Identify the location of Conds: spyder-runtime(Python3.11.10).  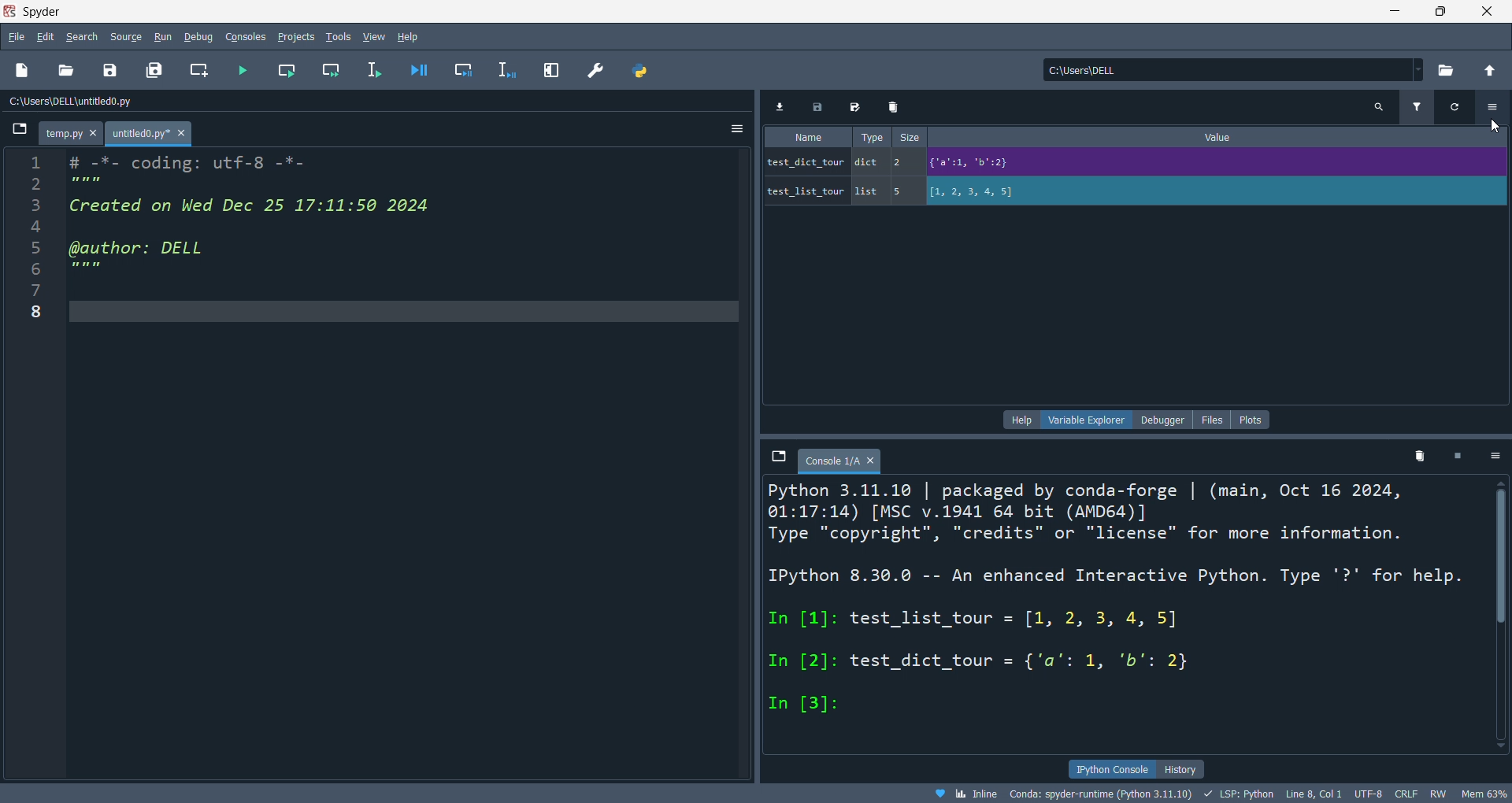
(1104, 794).